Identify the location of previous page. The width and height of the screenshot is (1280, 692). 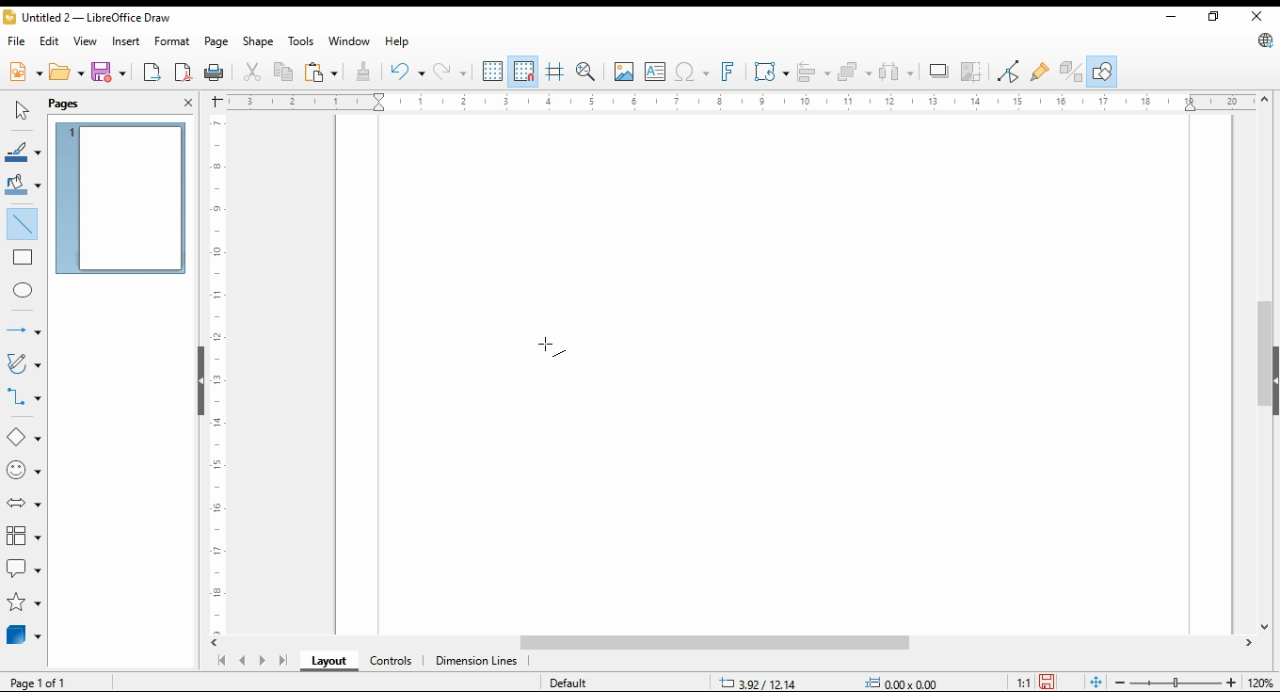
(243, 662).